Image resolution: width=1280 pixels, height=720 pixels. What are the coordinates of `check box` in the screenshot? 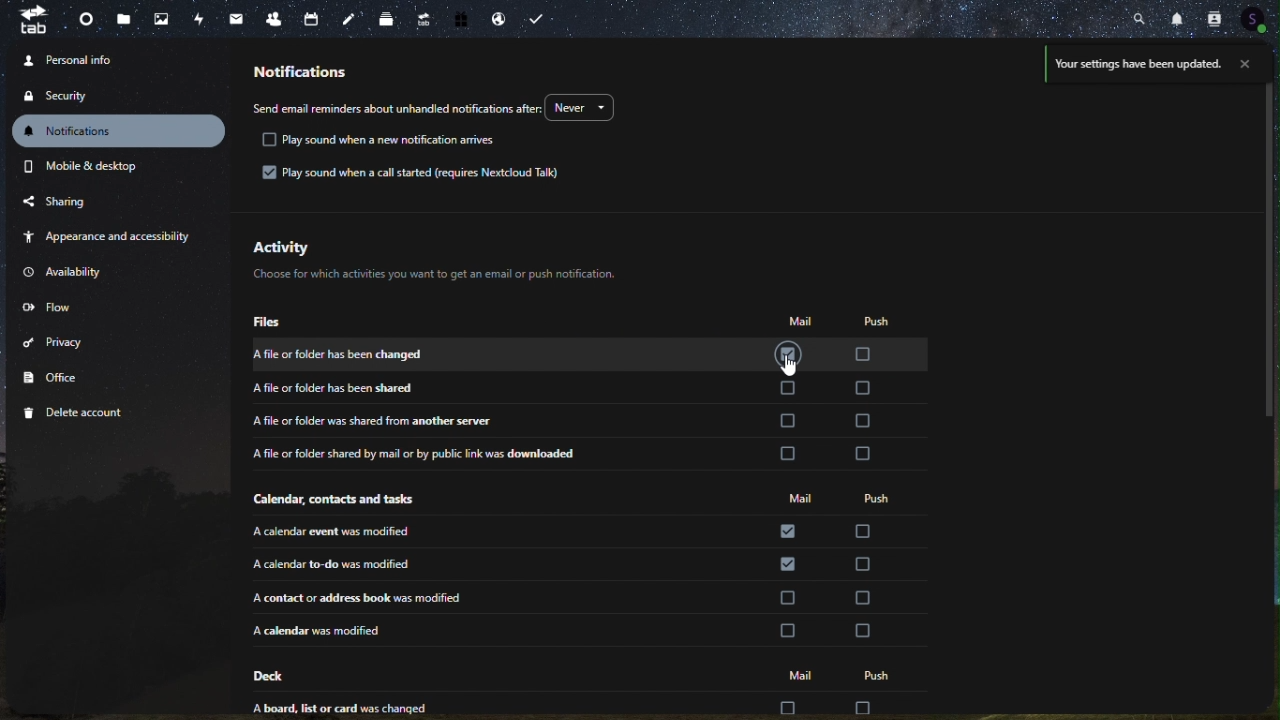 It's located at (790, 566).